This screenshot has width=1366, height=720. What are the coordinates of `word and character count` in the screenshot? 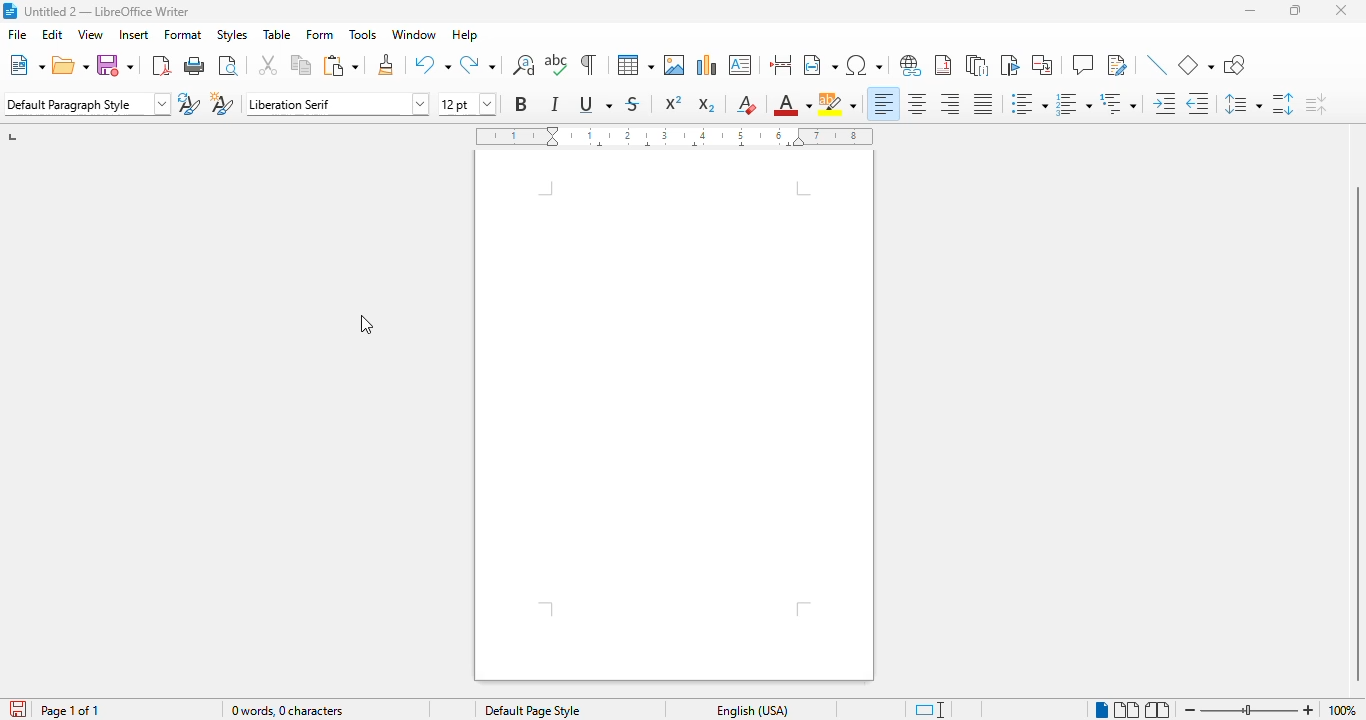 It's located at (288, 710).